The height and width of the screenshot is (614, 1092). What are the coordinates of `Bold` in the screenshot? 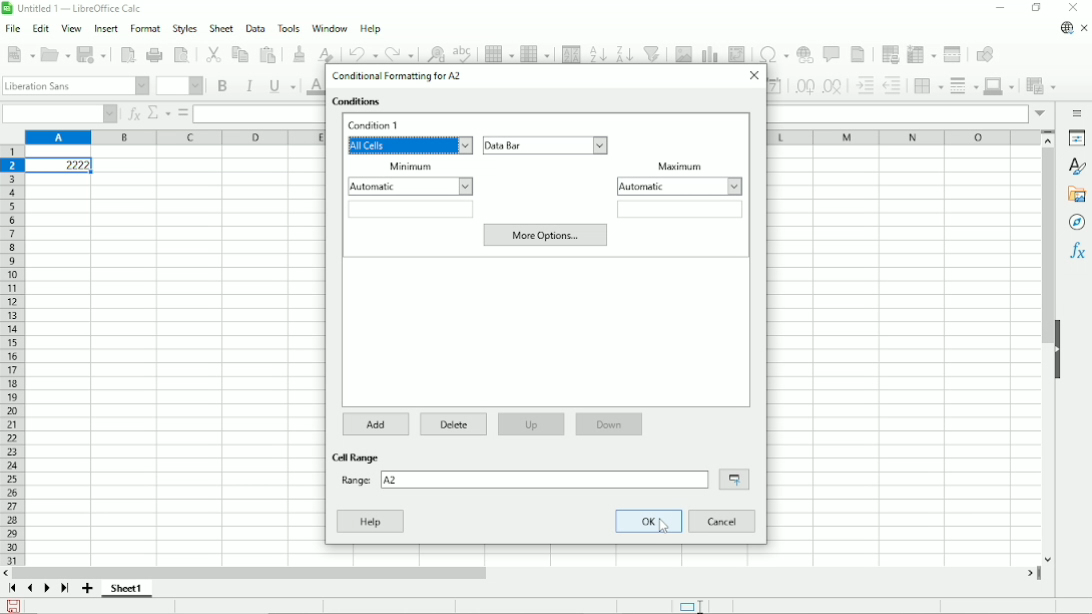 It's located at (223, 86).